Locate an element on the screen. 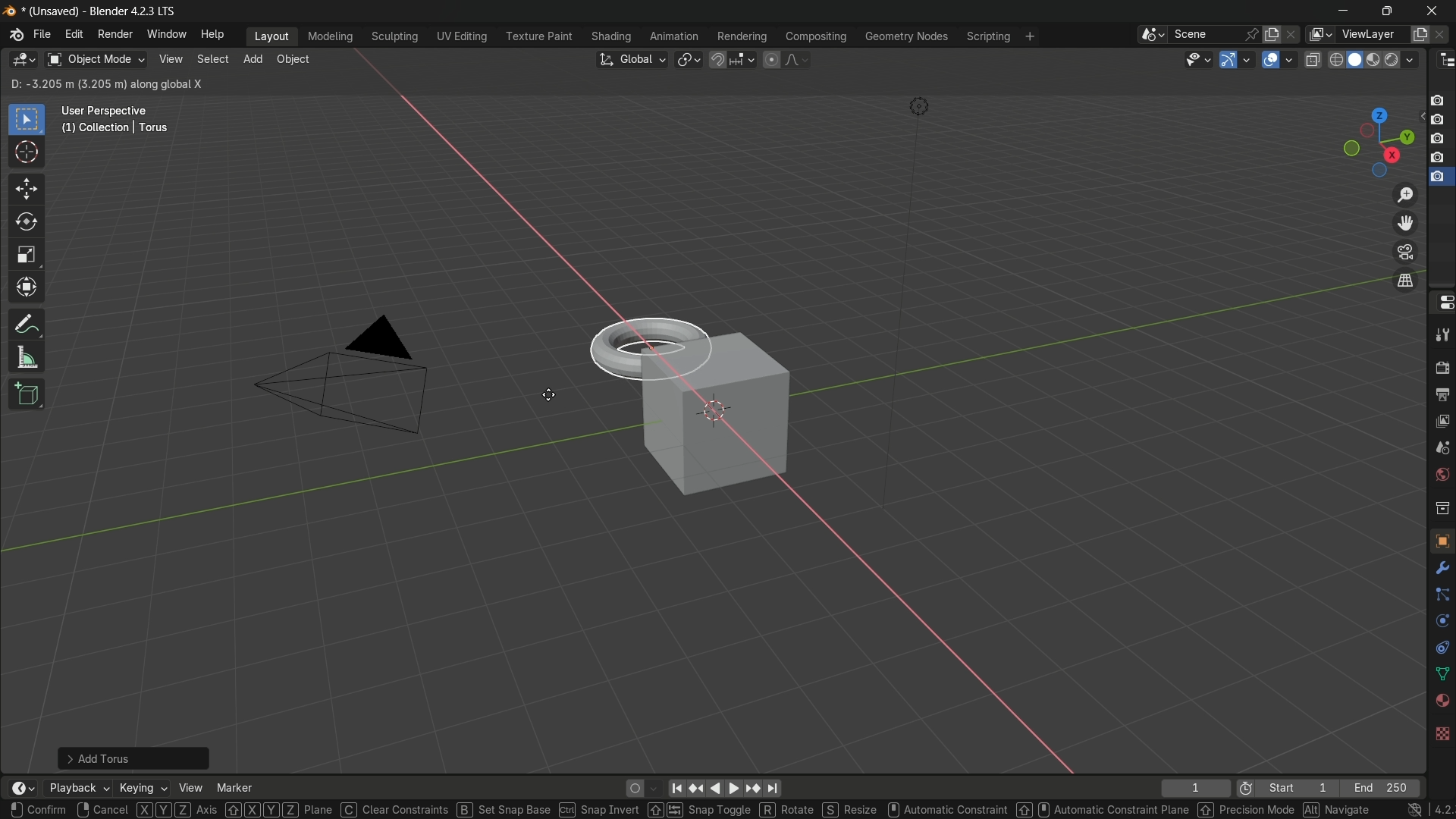  torus moving along x axis is located at coordinates (645, 346).